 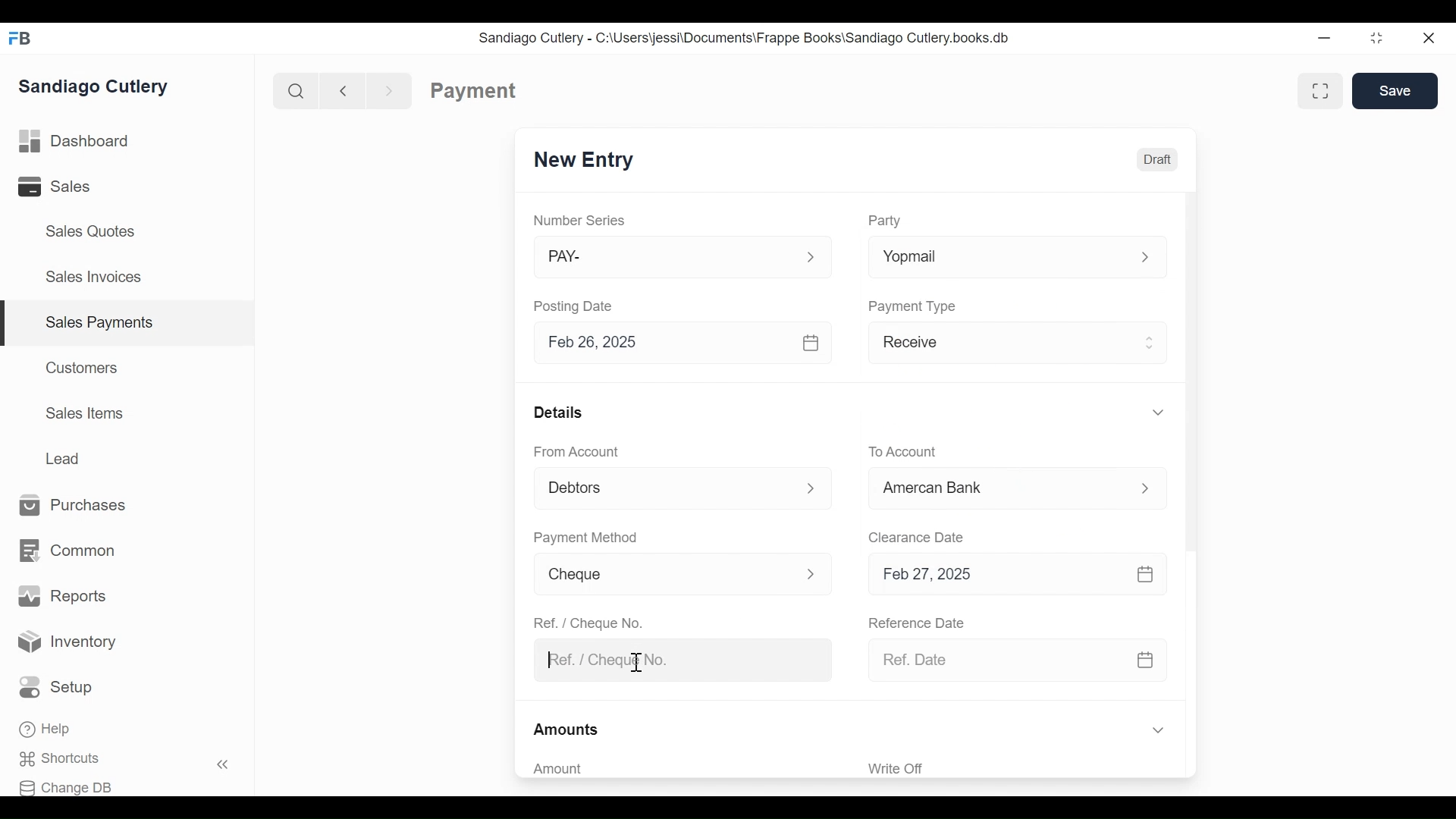 What do you see at coordinates (96, 86) in the screenshot?
I see `Sandiago Cutlery` at bounding box center [96, 86].